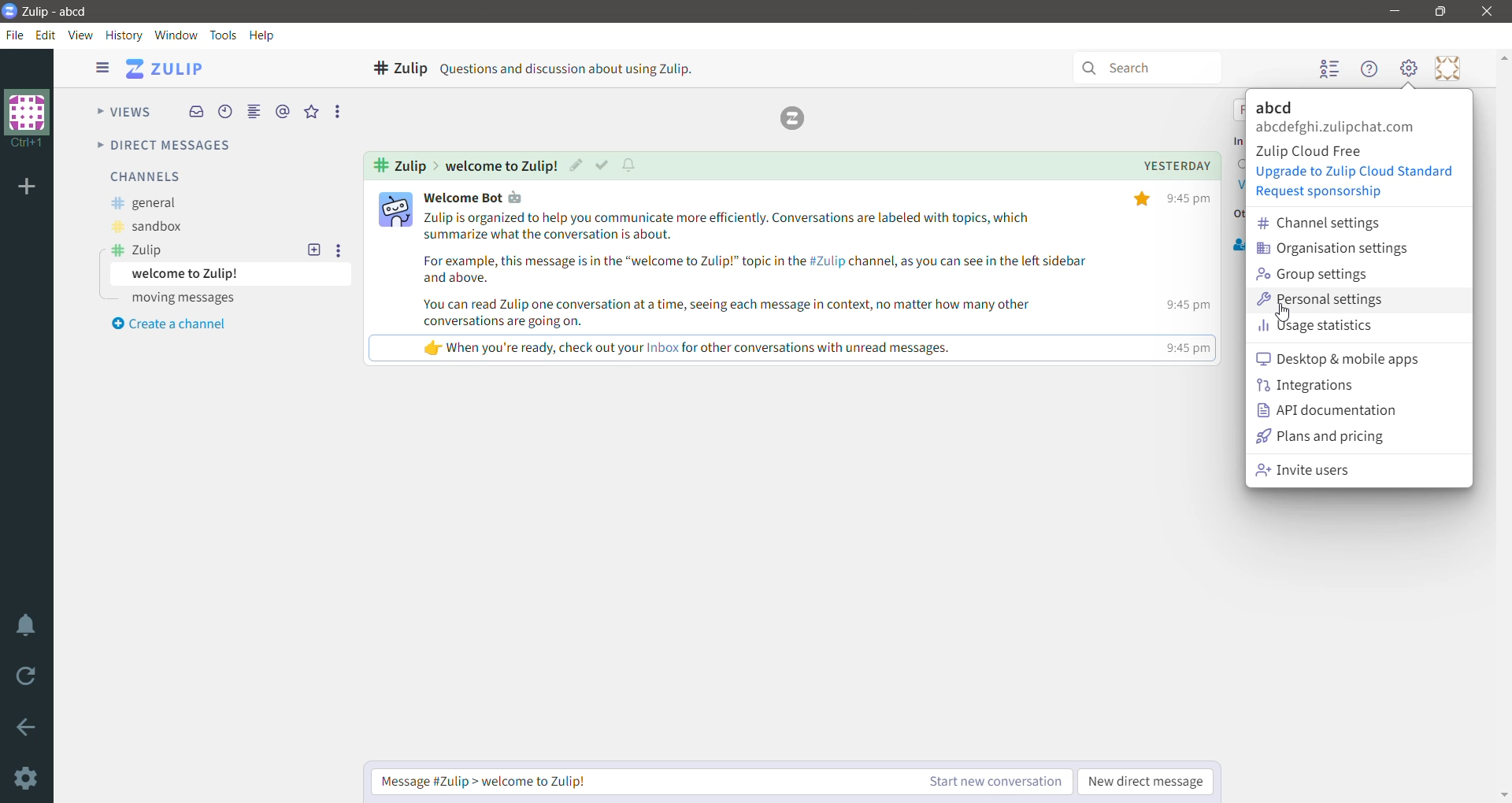 The image size is (1512, 803). Describe the element at coordinates (1281, 107) in the screenshot. I see `Organization Name` at that location.